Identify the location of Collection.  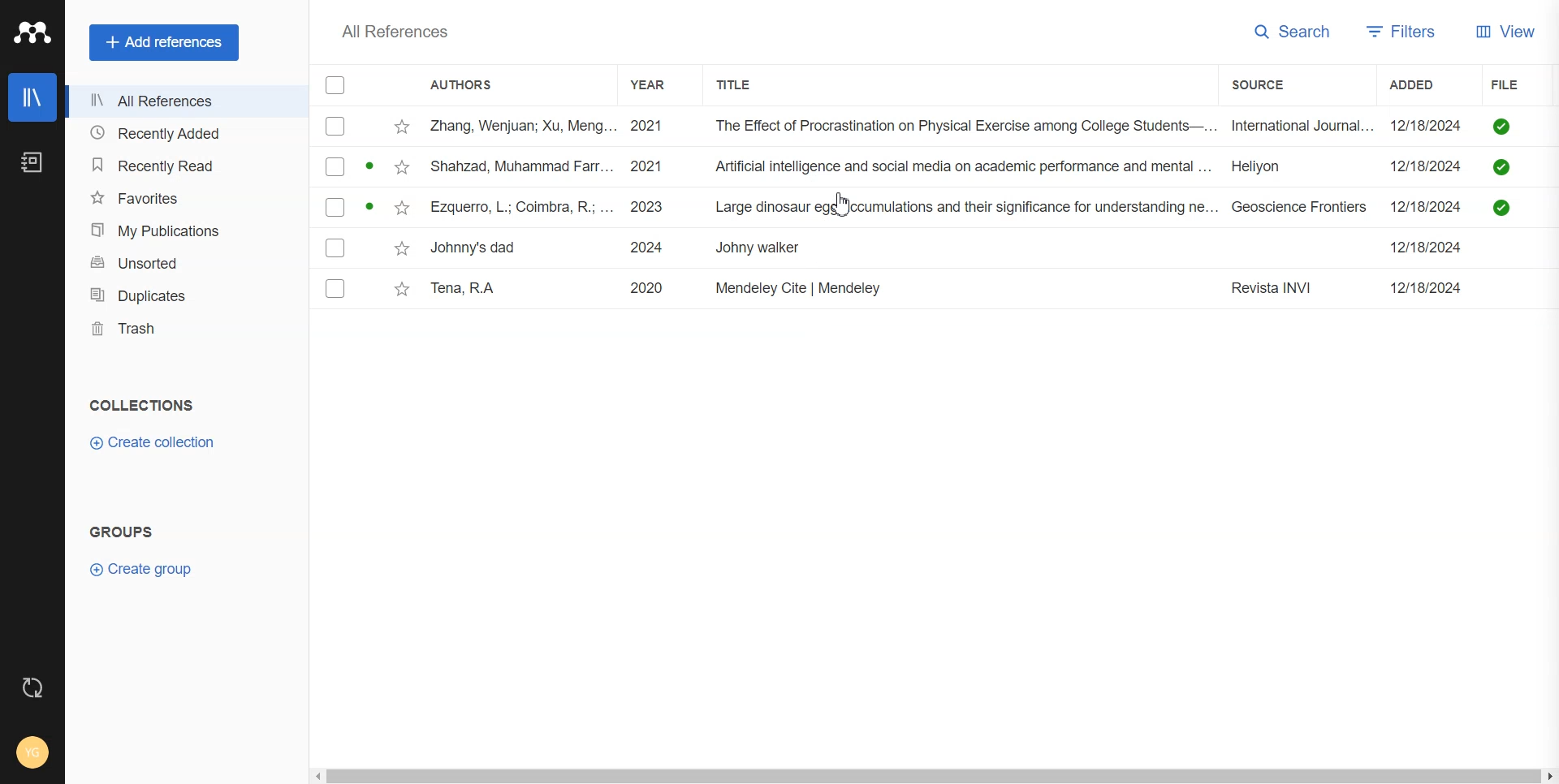
(141, 404).